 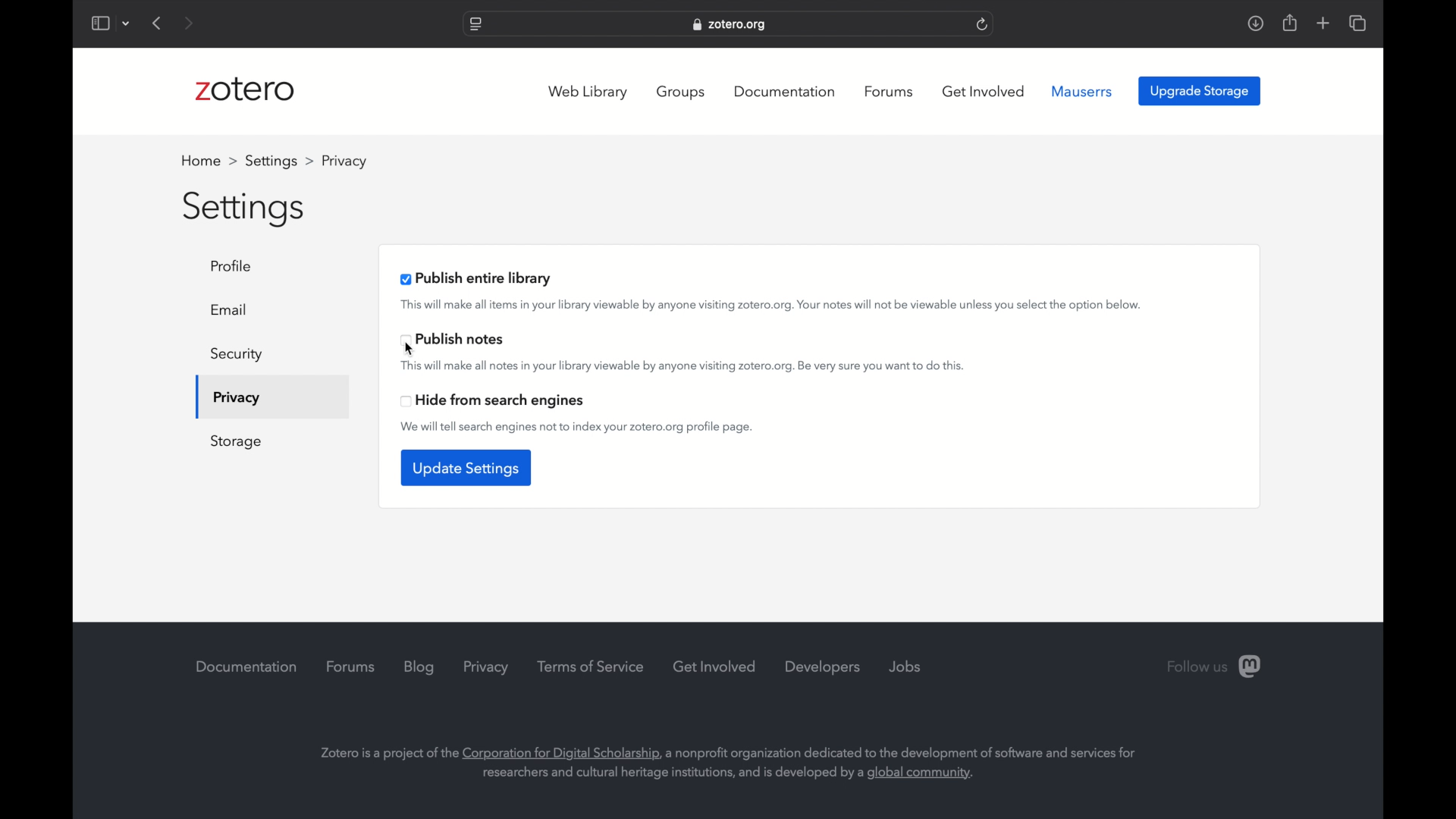 I want to click on developers, so click(x=824, y=668).